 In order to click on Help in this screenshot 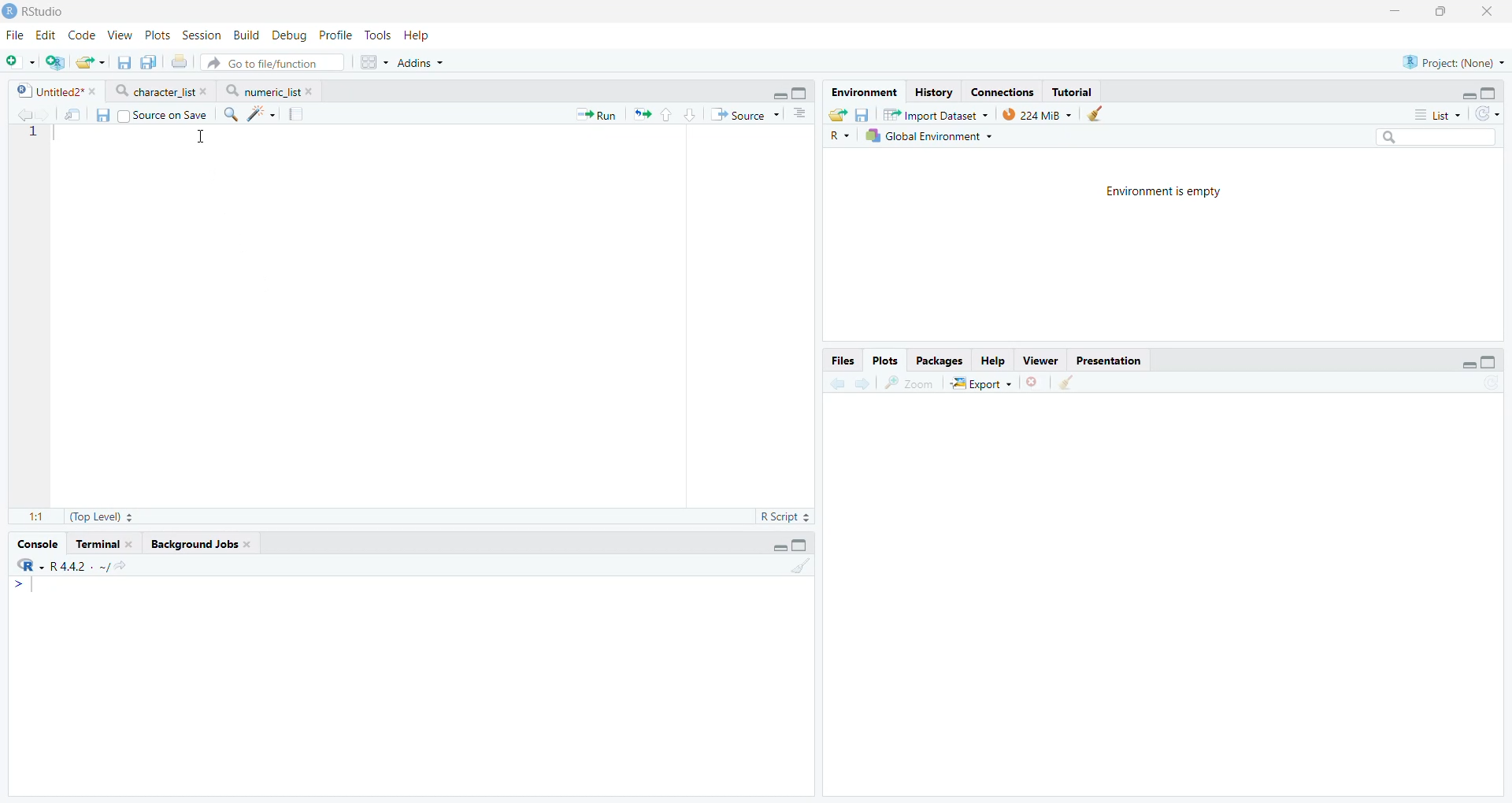, I will do `click(994, 361)`.